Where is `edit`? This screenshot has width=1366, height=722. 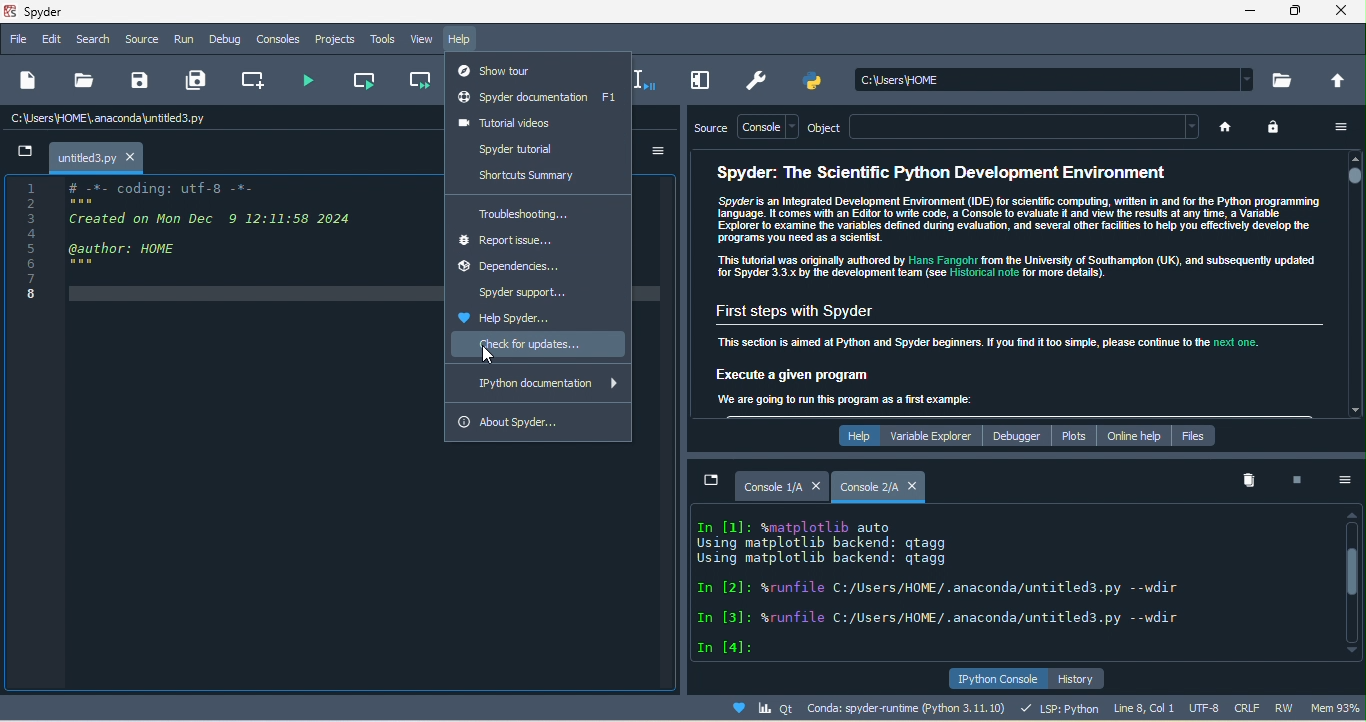 edit is located at coordinates (48, 39).